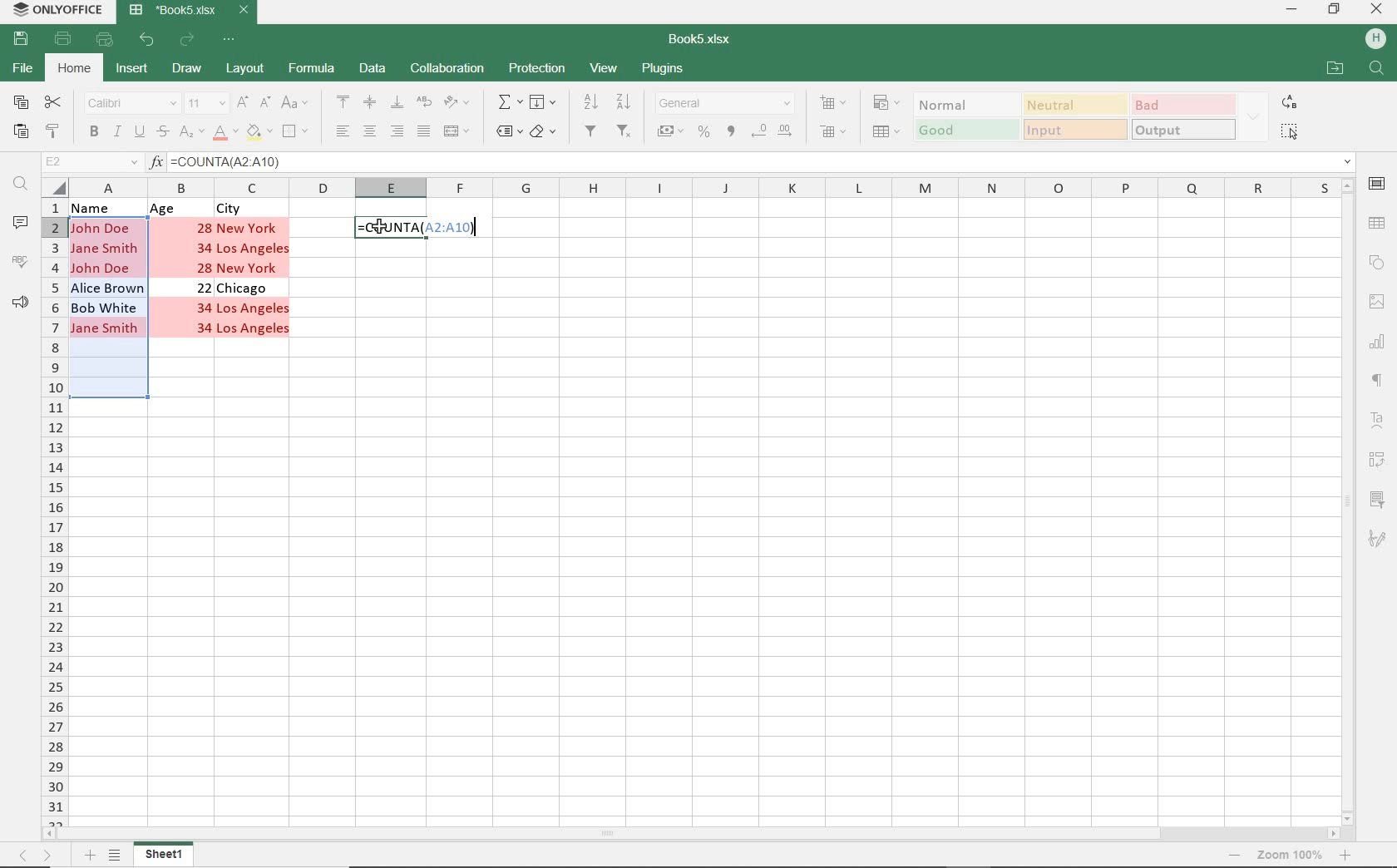 This screenshot has width=1397, height=868. Describe the element at coordinates (296, 104) in the screenshot. I see `CHANGE CASE` at that location.